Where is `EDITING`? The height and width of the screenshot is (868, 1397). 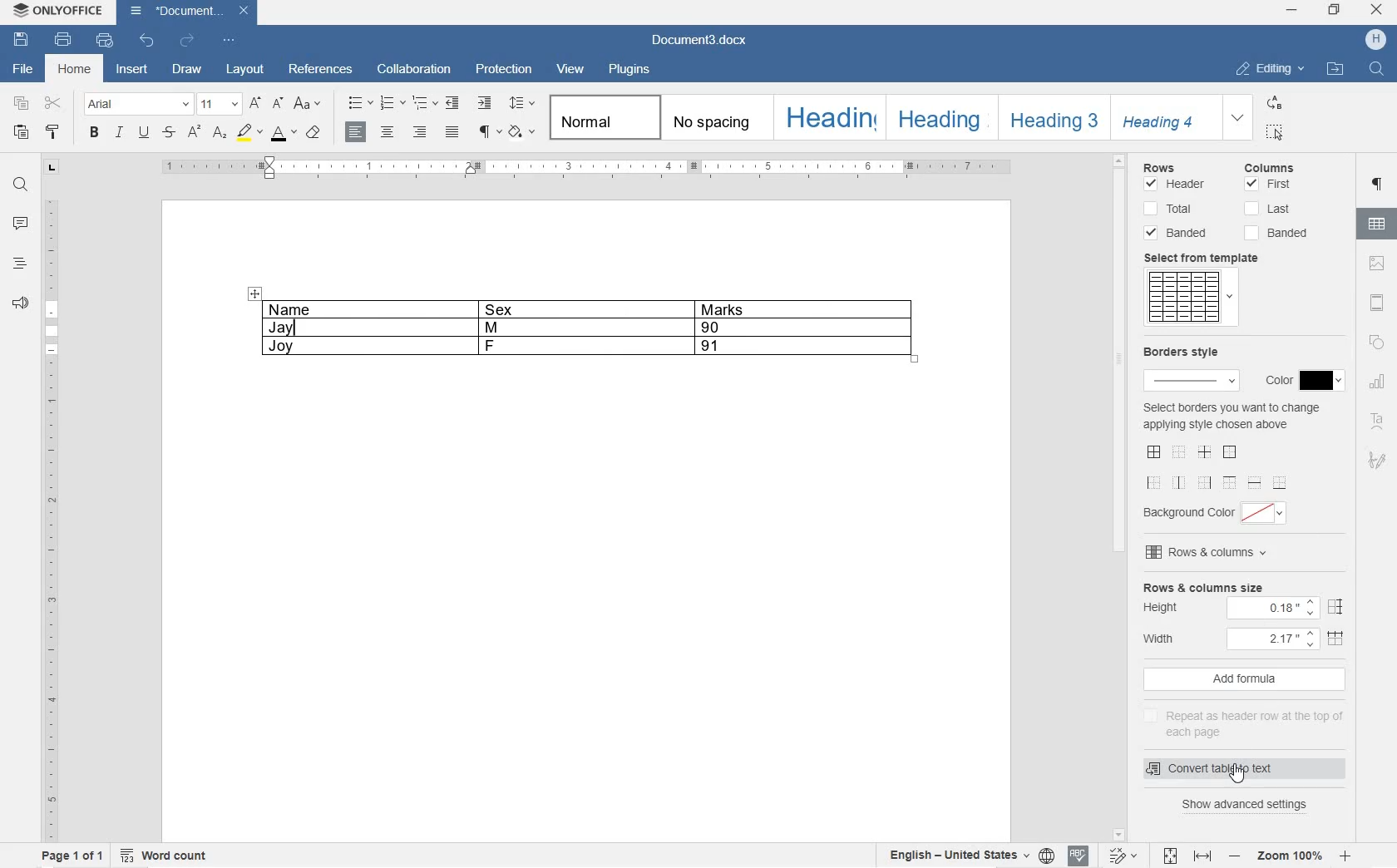
EDITING is located at coordinates (1271, 65).